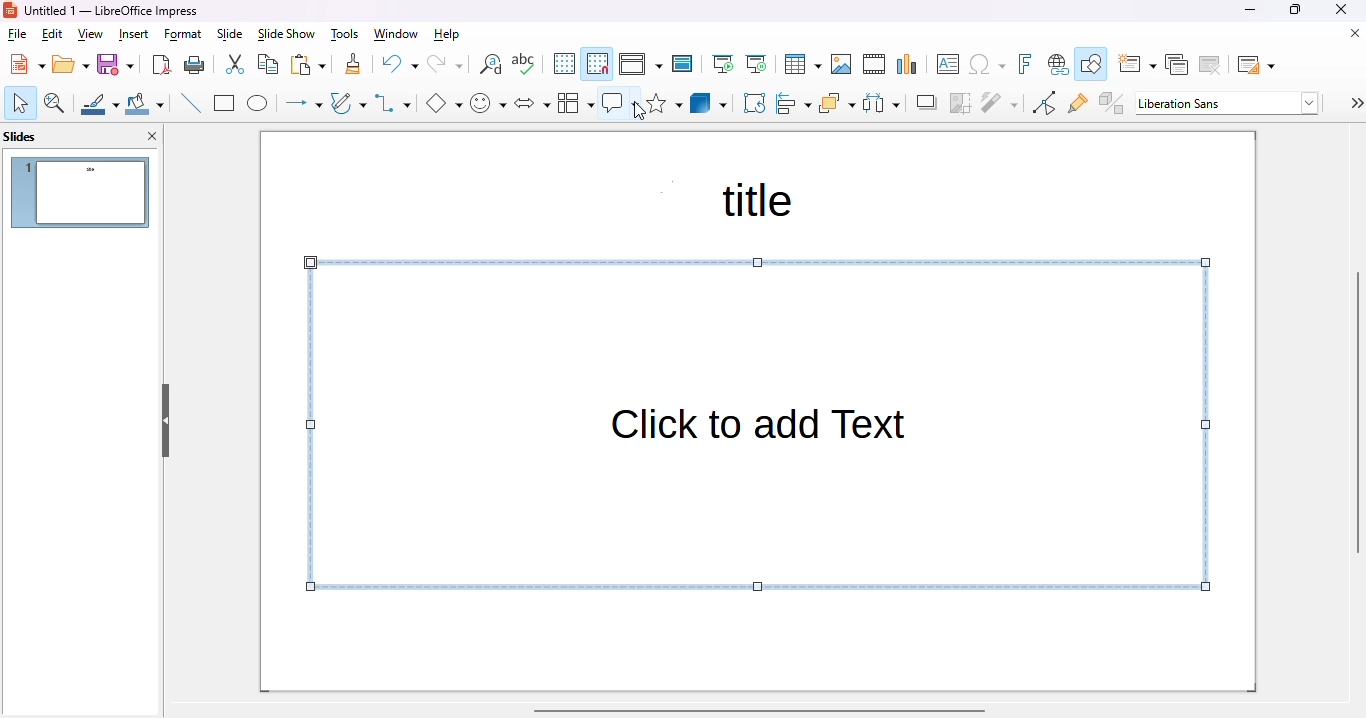  Describe the element at coordinates (757, 64) in the screenshot. I see `start from current slide` at that location.